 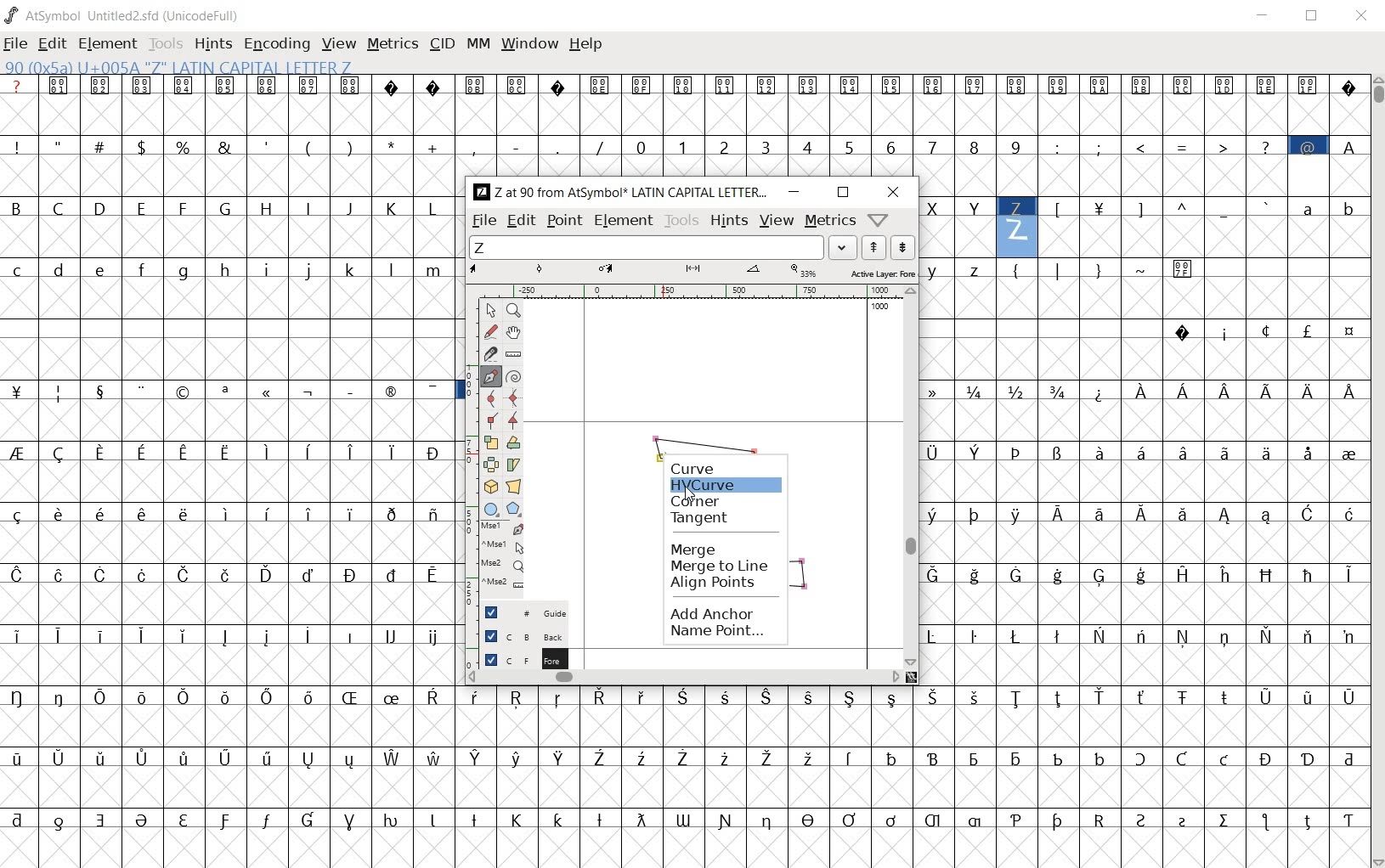 What do you see at coordinates (490, 332) in the screenshot?
I see `draw a freehand curve` at bounding box center [490, 332].